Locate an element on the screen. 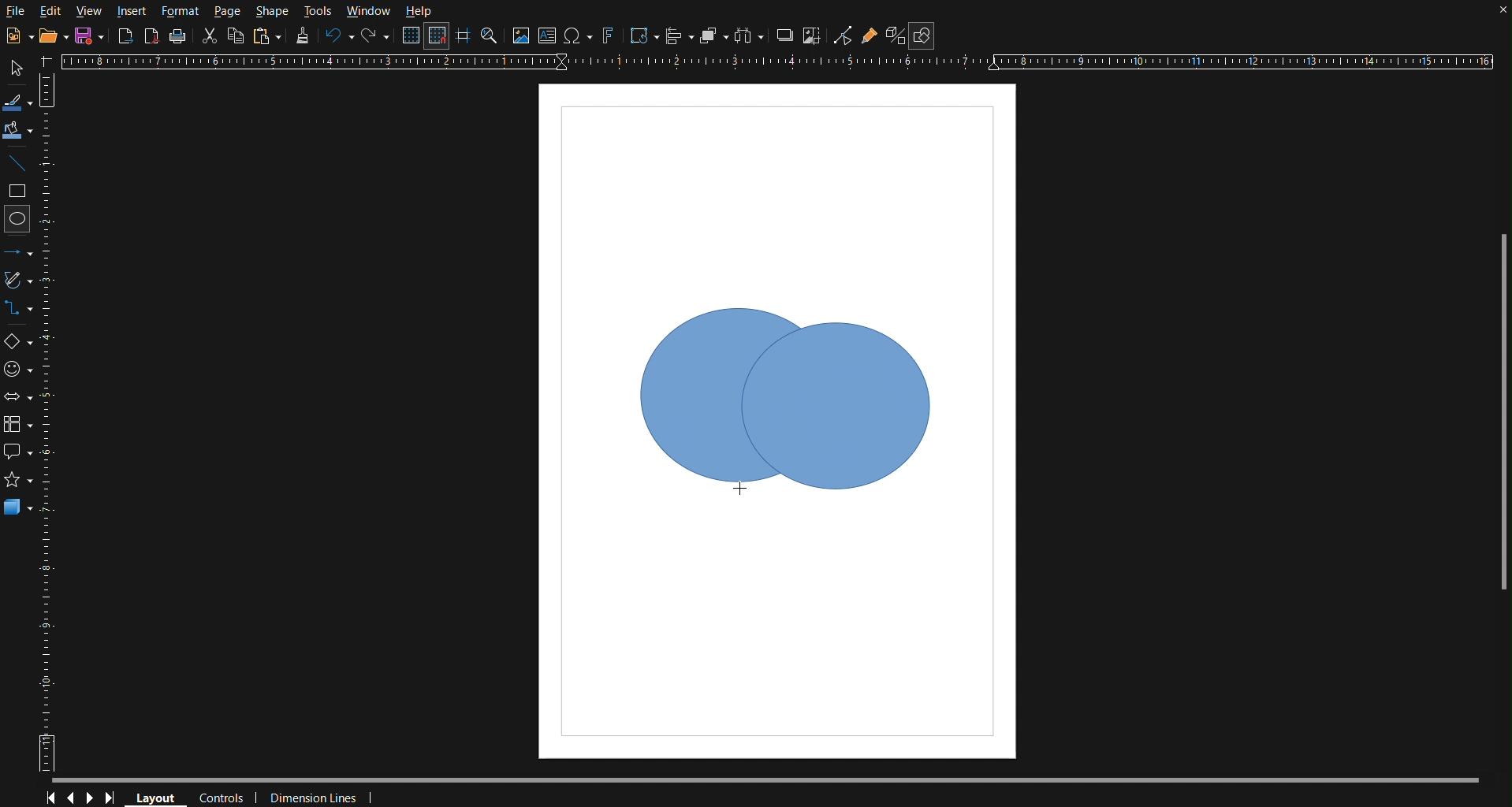 This screenshot has width=1512, height=807. Export is located at coordinates (125, 36).